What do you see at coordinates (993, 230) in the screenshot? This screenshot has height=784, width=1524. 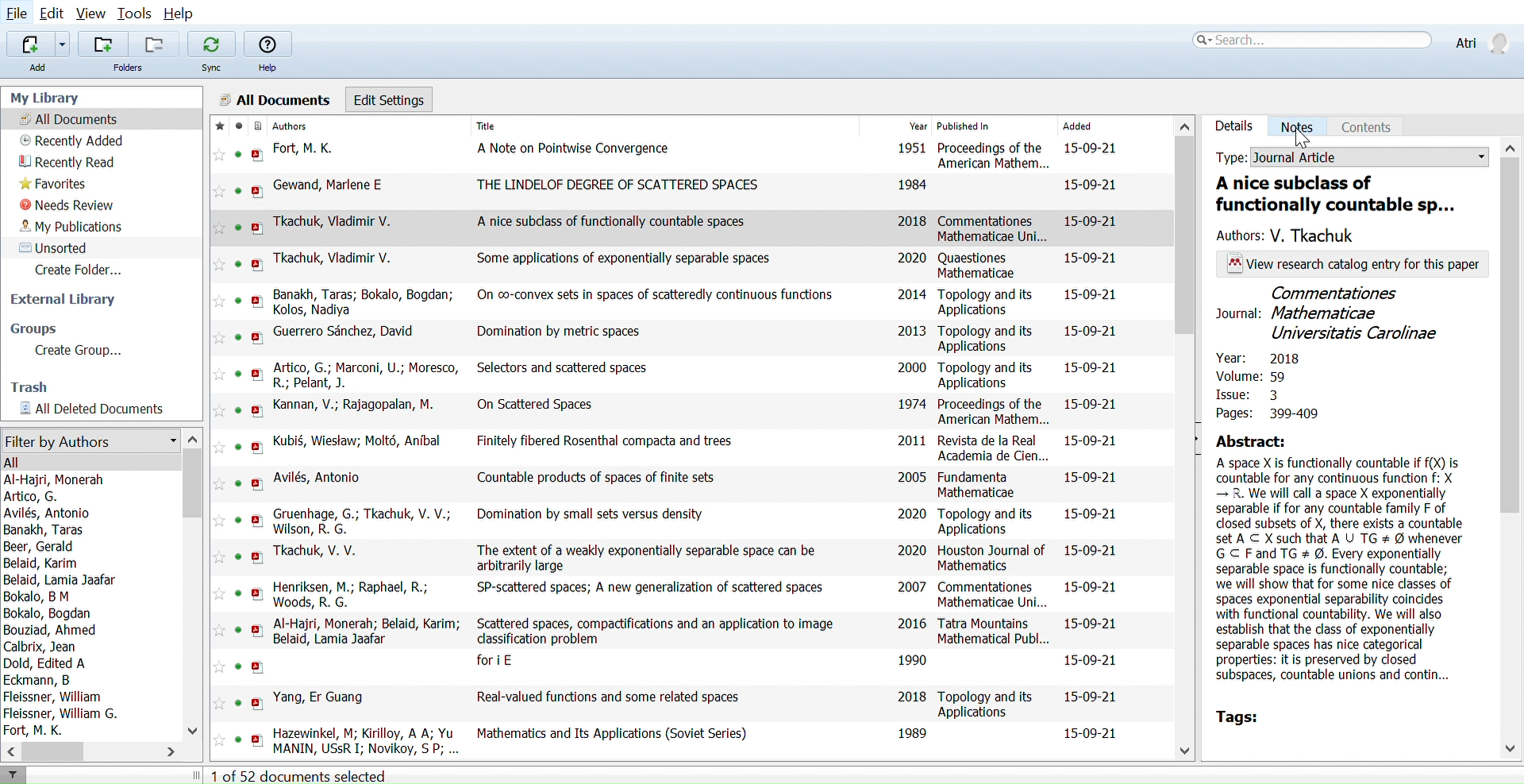 I see `Commentationes Mathematicae Uni...` at bounding box center [993, 230].